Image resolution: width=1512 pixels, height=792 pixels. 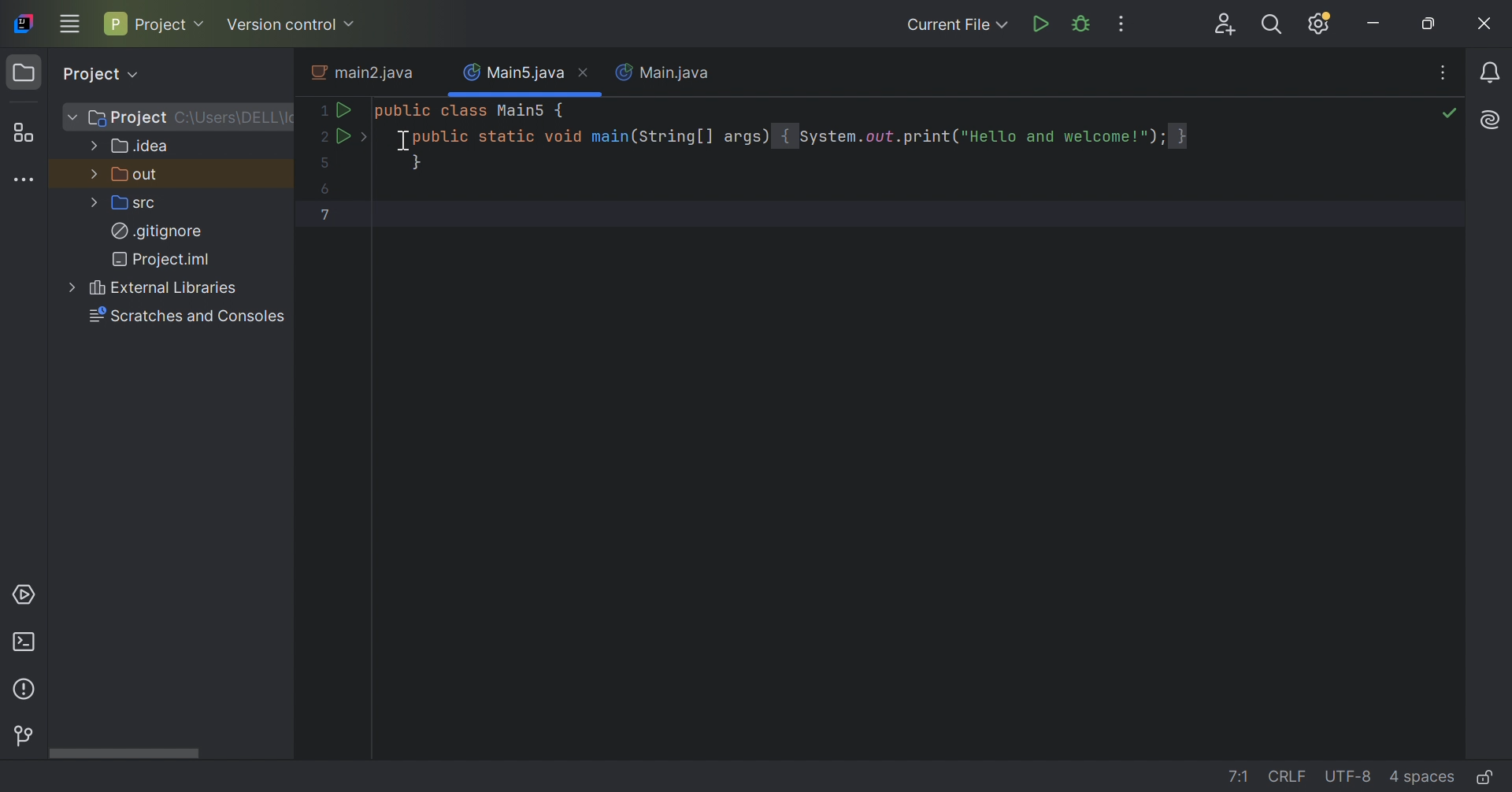 I want to click on More tool windows, so click(x=23, y=178).